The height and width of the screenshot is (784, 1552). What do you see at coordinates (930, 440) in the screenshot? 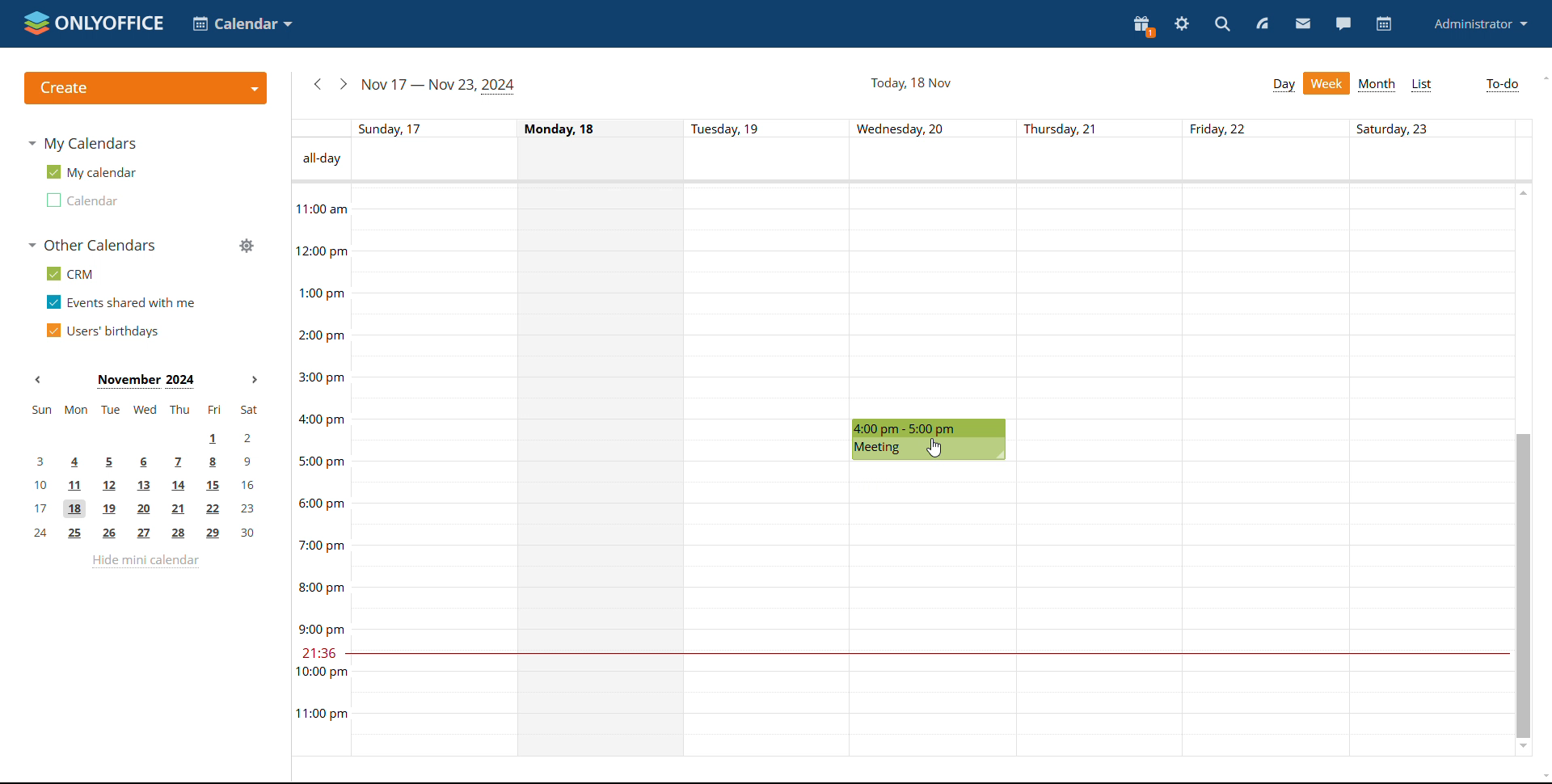
I see `meeting event` at bounding box center [930, 440].